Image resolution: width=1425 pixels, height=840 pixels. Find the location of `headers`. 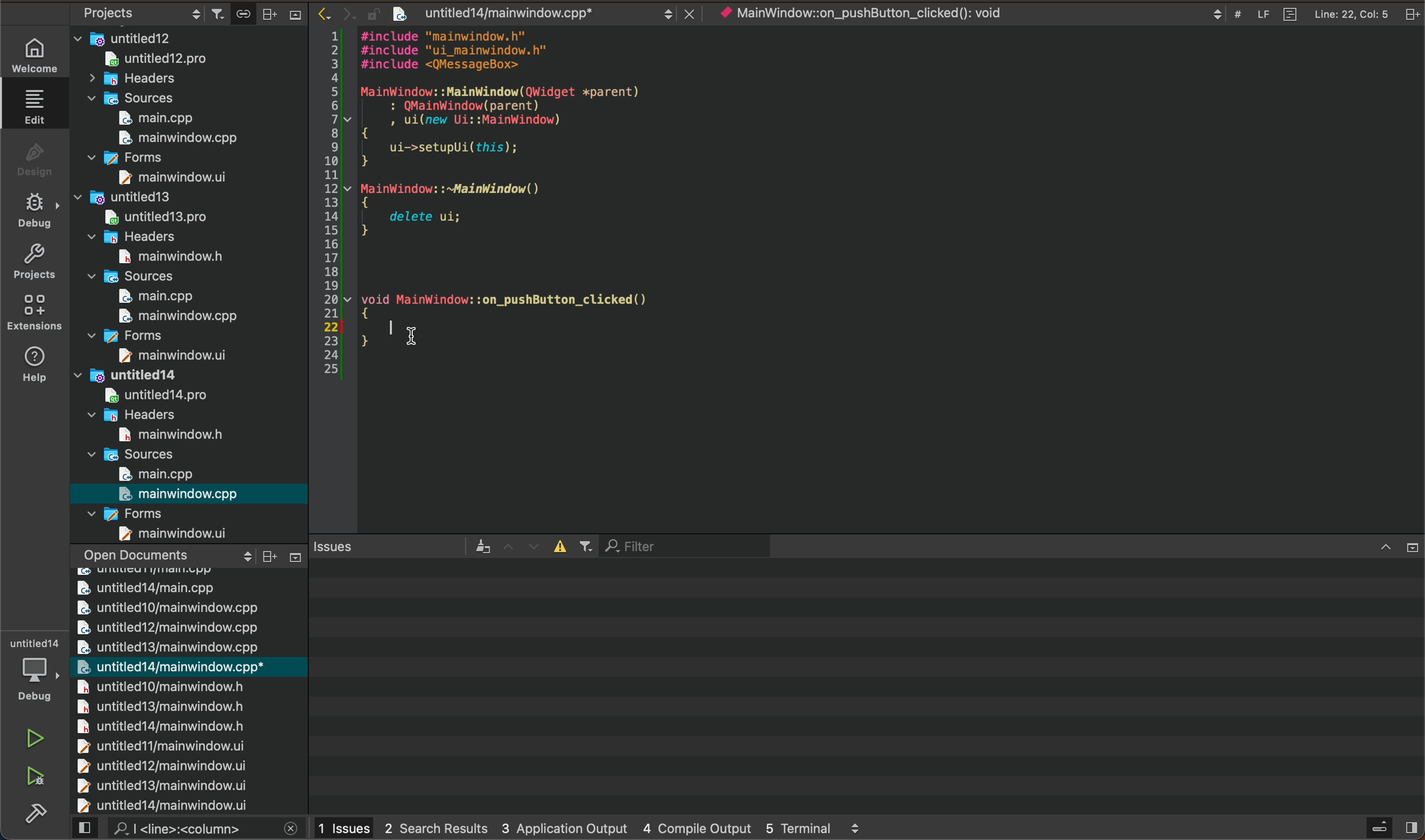

headers is located at coordinates (147, 80).